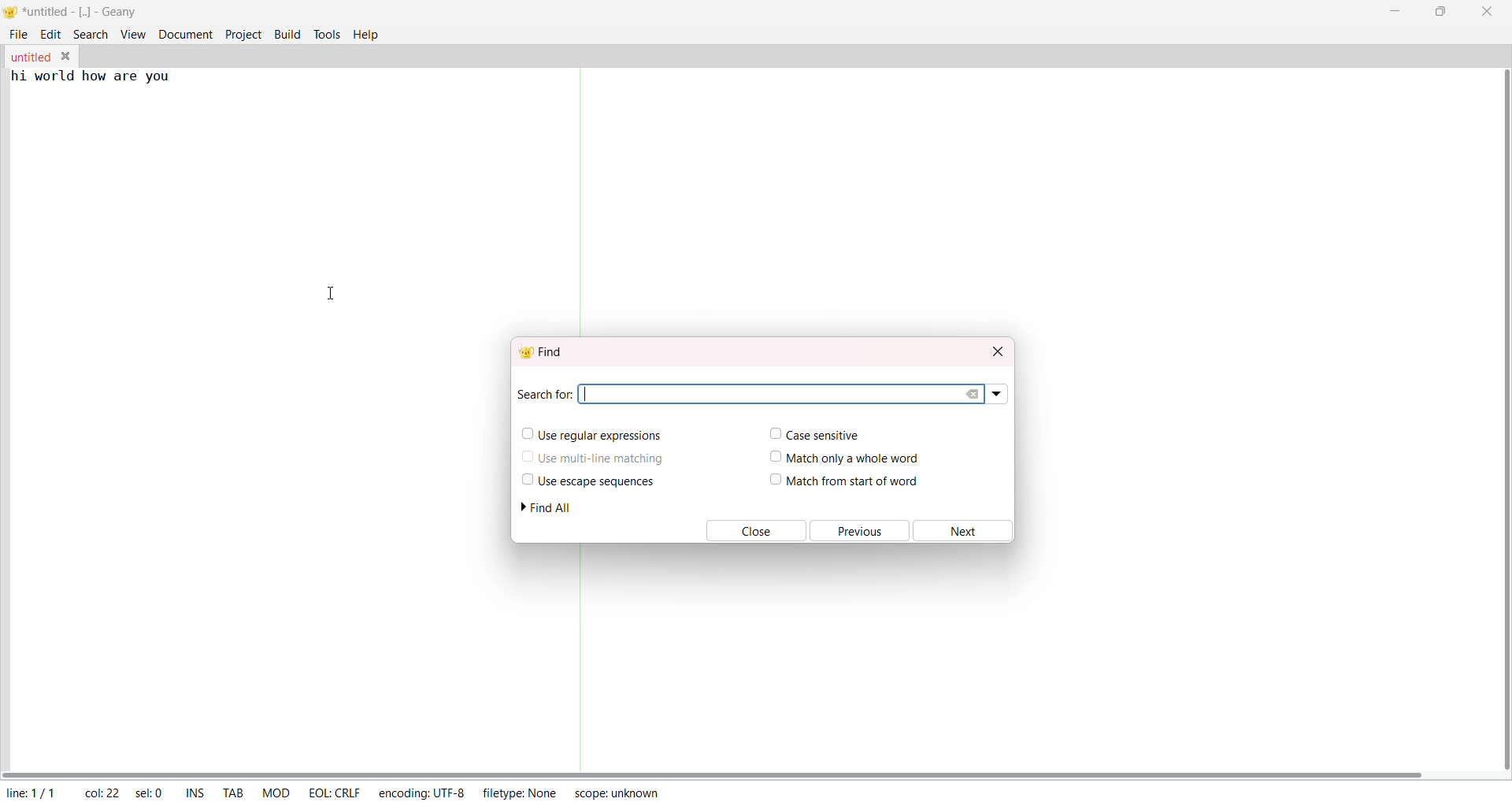 This screenshot has height=802, width=1512. I want to click on match from start of word, so click(842, 481).